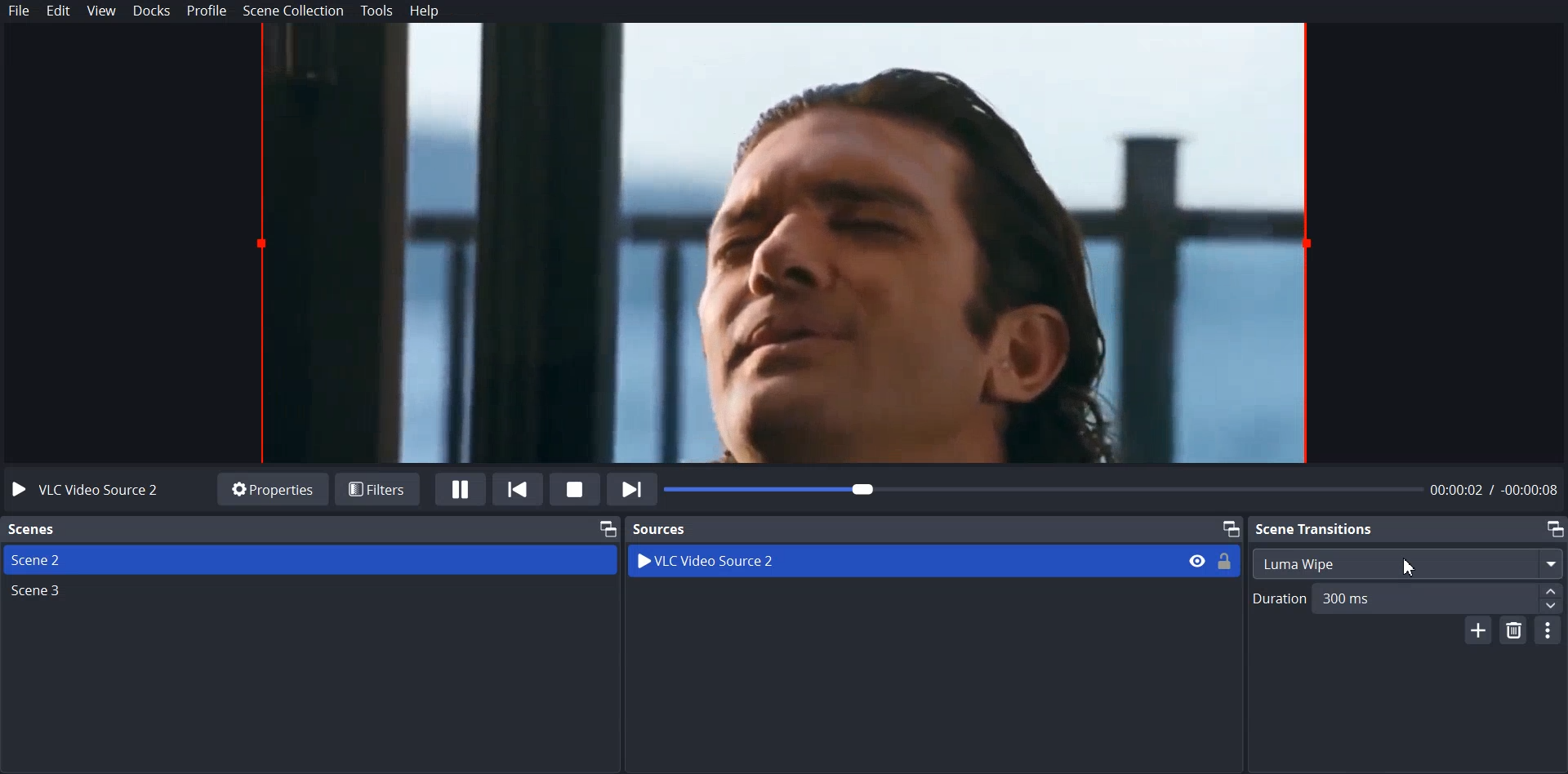 The image size is (1568, 774). I want to click on Edit, so click(59, 11).